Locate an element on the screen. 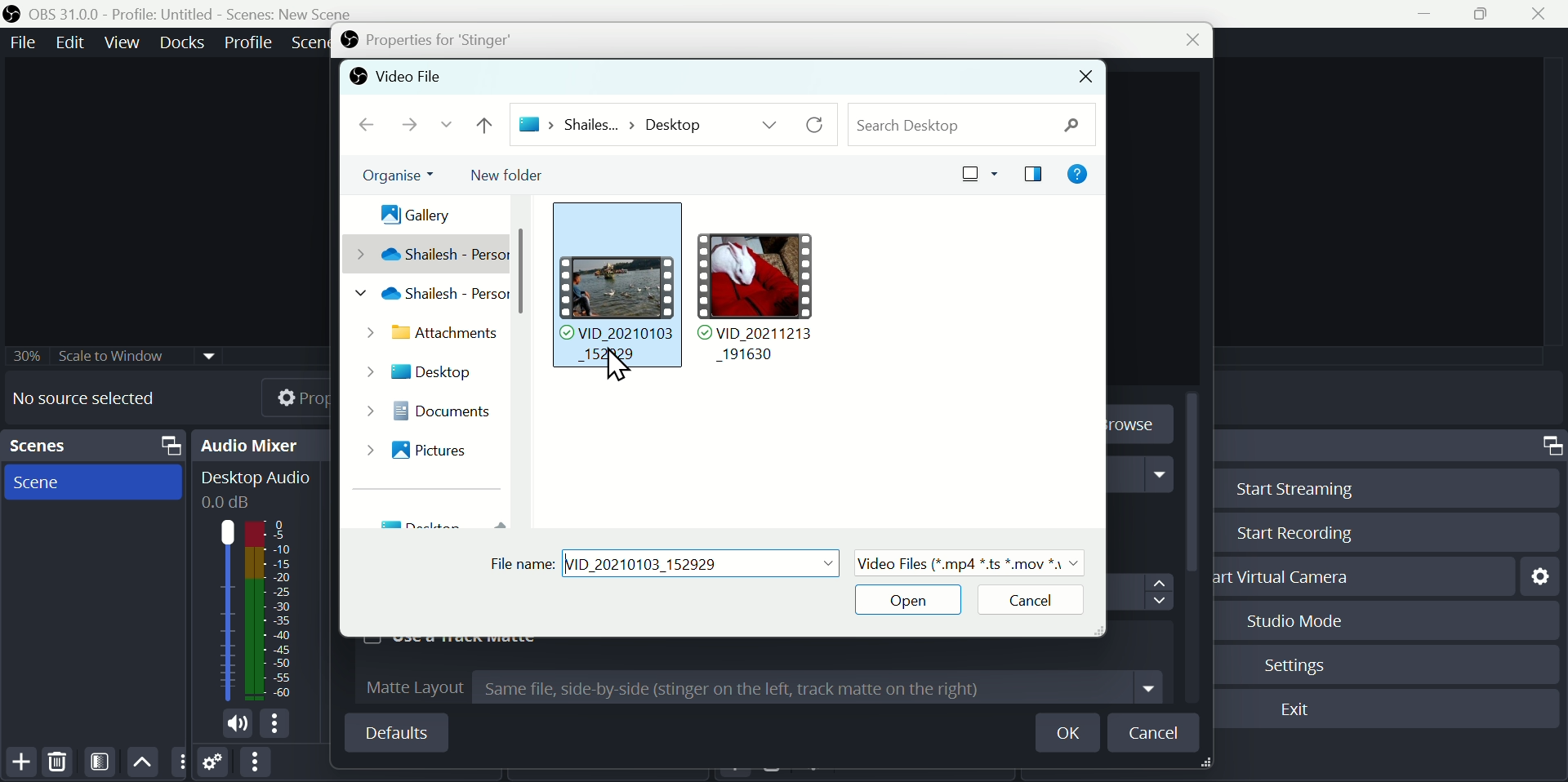 The height and width of the screenshot is (782, 1568). Settings is located at coordinates (214, 765).